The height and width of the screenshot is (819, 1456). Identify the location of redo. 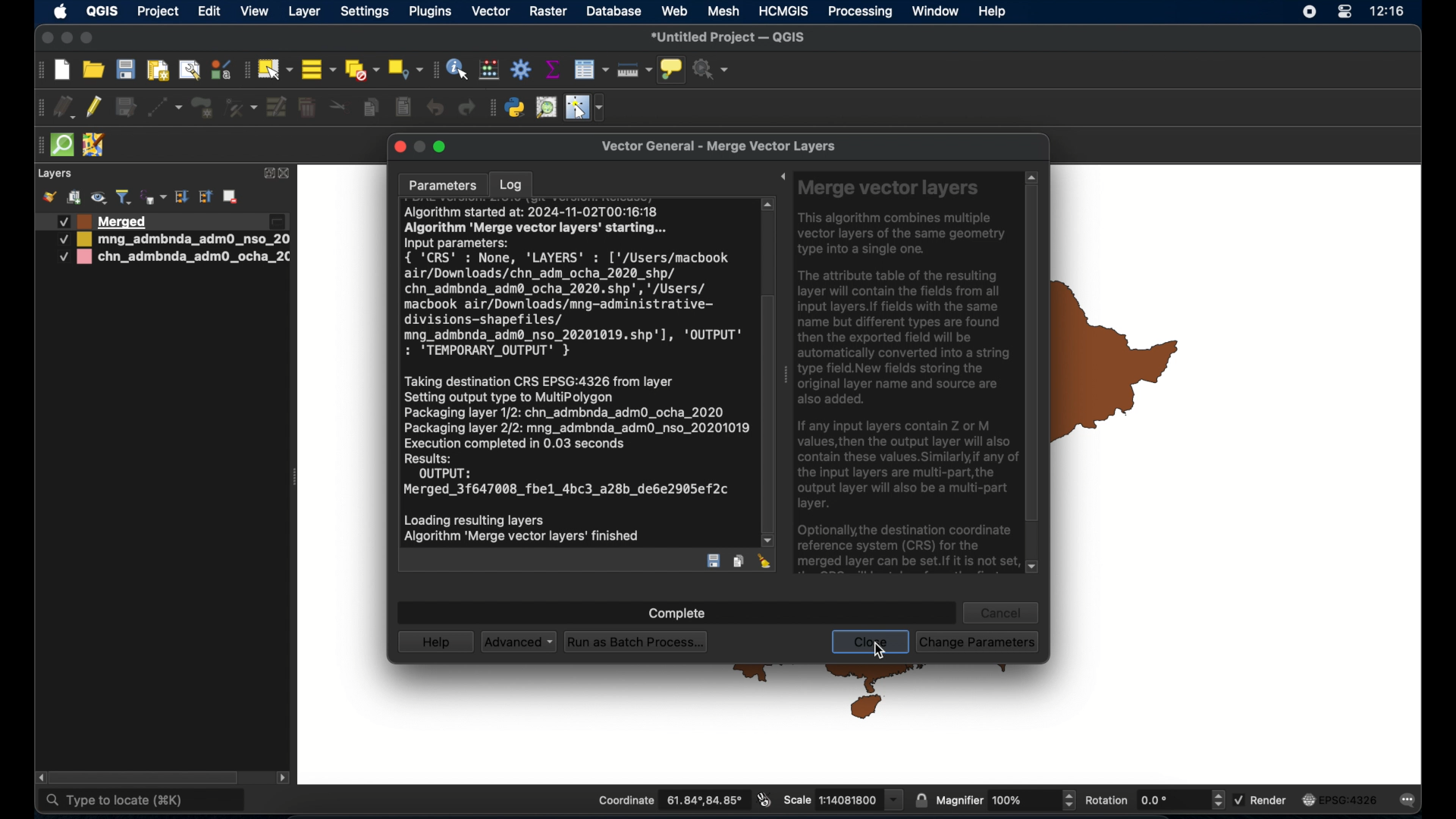
(466, 108).